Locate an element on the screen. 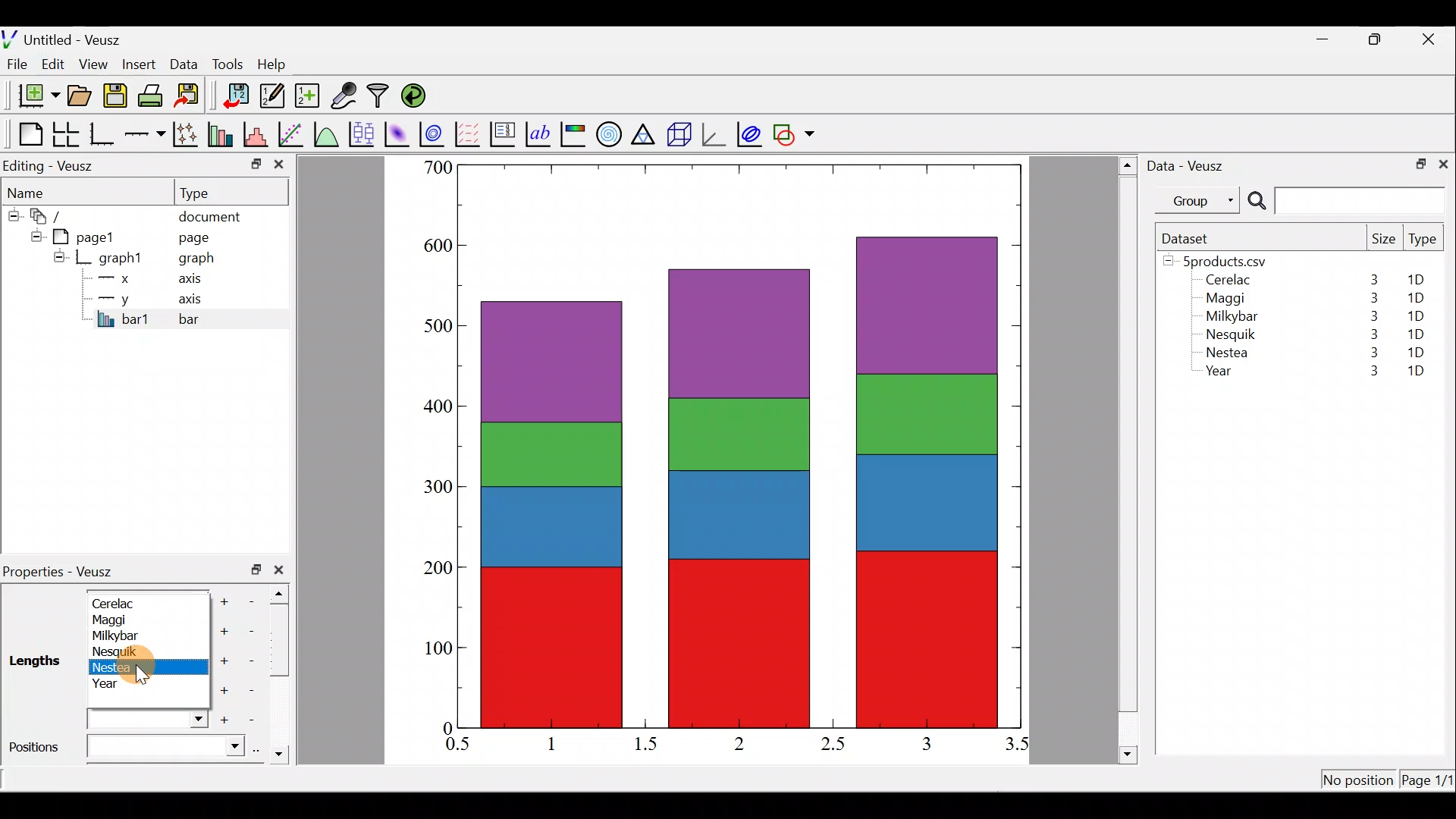 Image resolution: width=1456 pixels, height=819 pixels. scroll bar is located at coordinates (284, 670).